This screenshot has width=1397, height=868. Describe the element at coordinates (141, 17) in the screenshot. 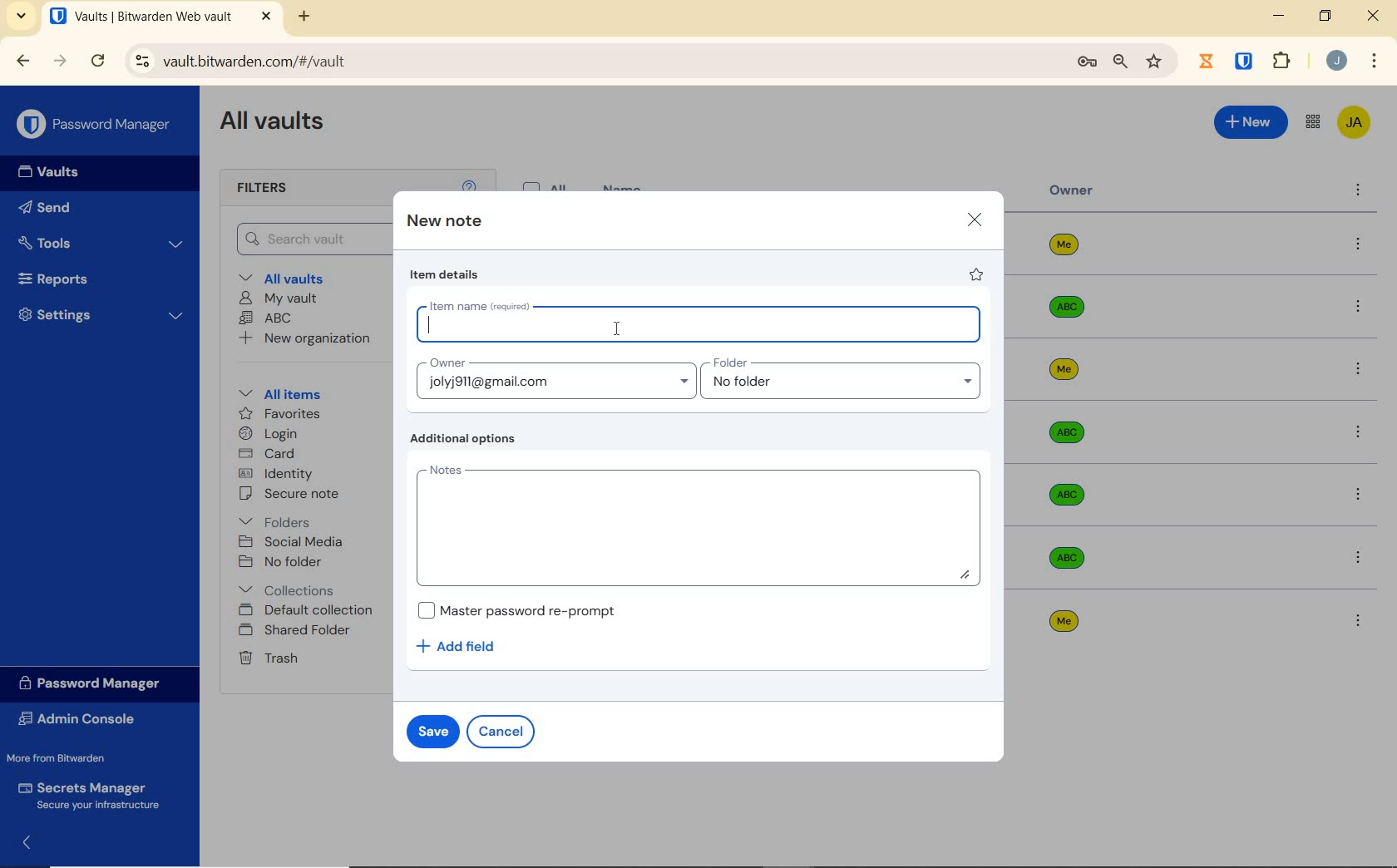

I see `open tab` at that location.